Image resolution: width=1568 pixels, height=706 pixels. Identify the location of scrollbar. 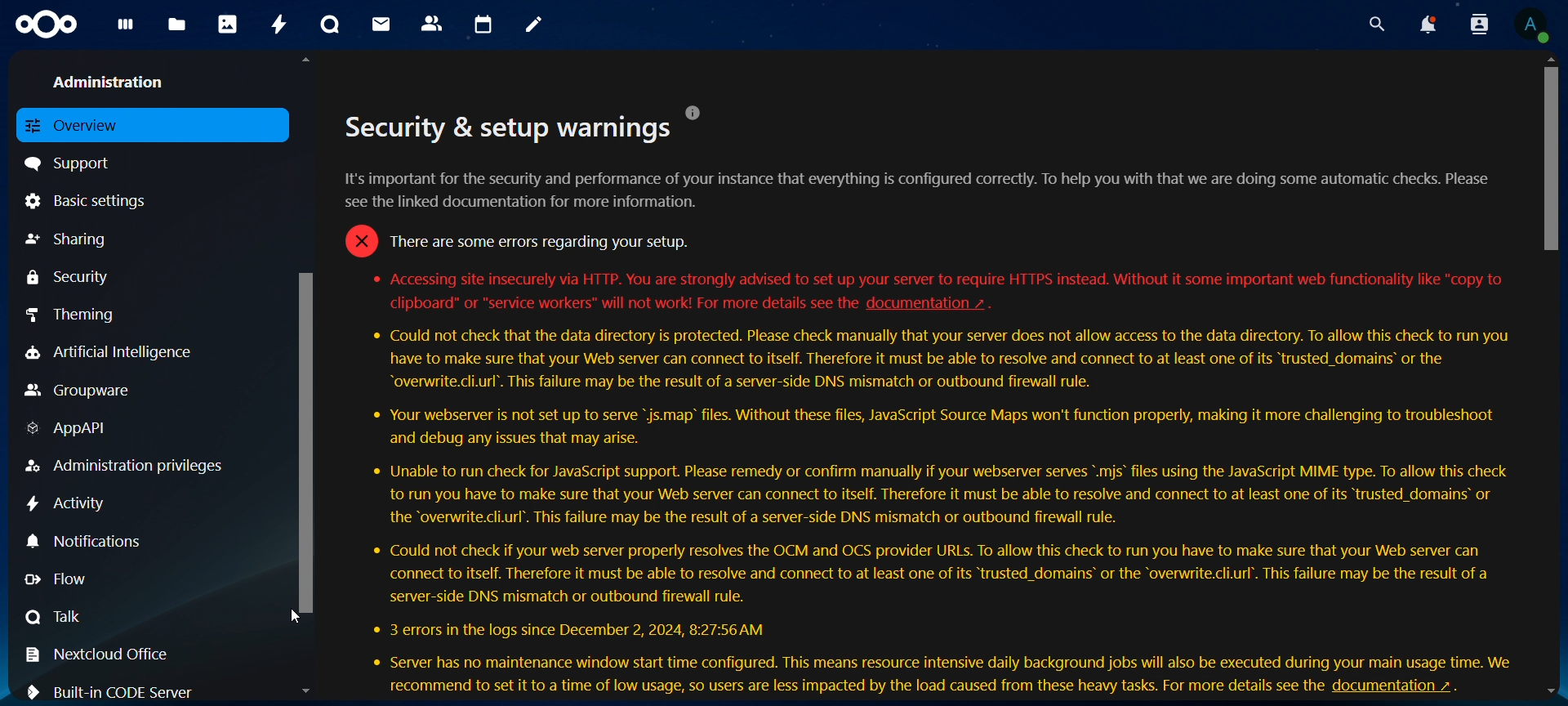
(309, 437).